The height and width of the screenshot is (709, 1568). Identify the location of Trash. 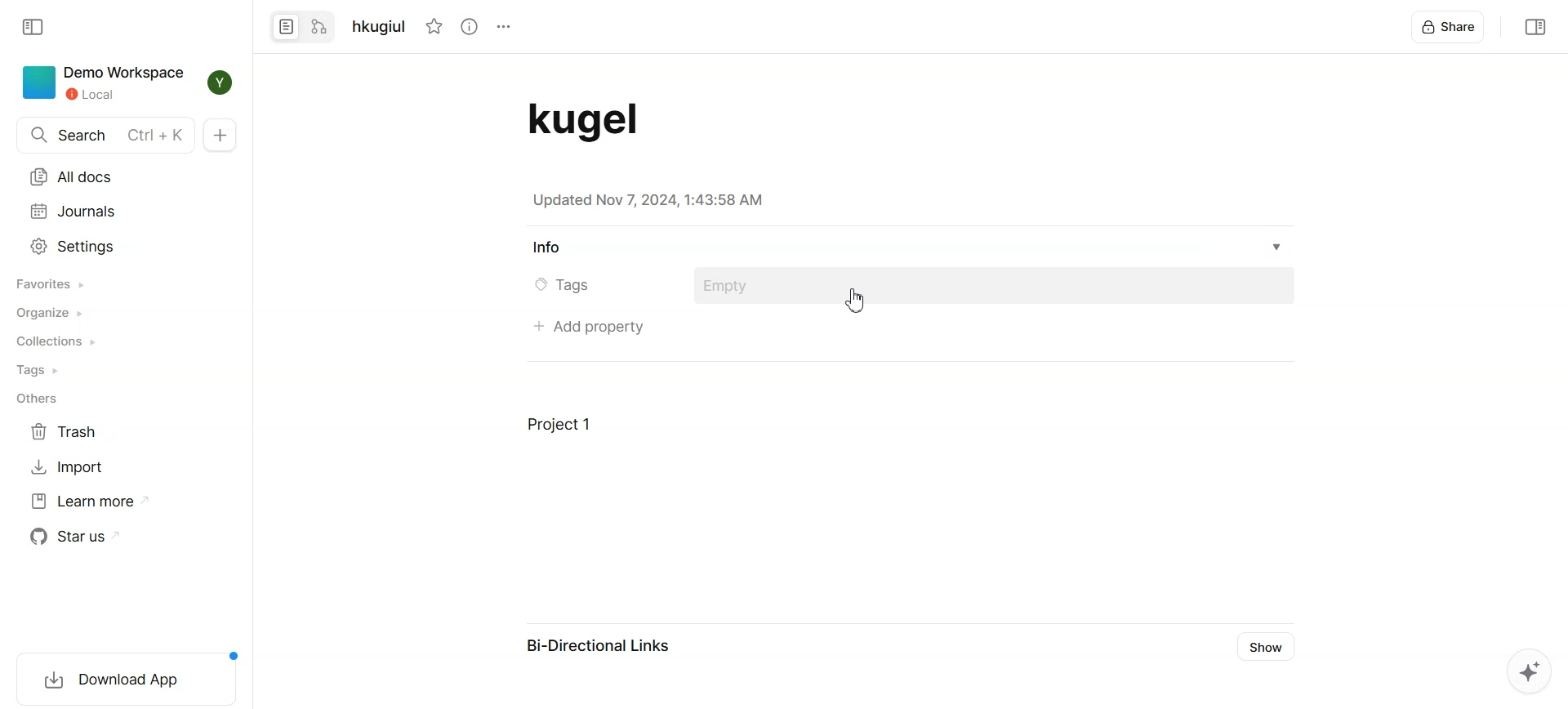
(69, 431).